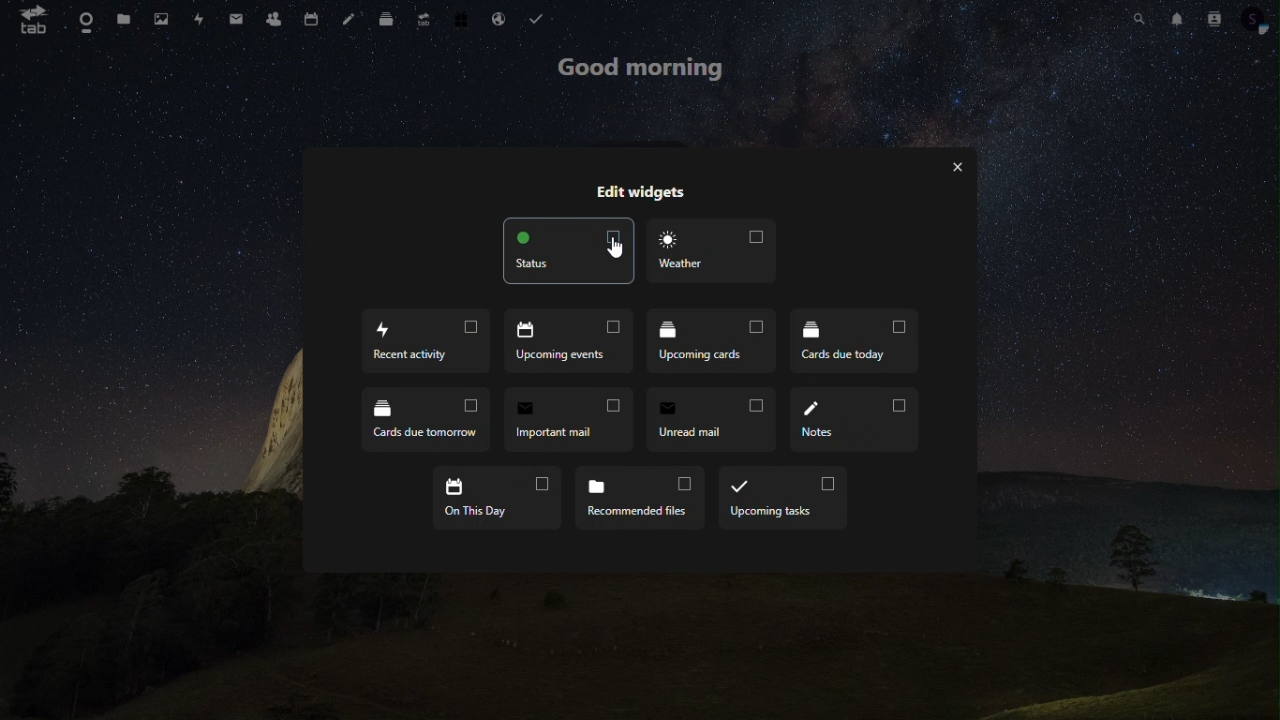 Image resolution: width=1280 pixels, height=720 pixels. I want to click on search, so click(1140, 21).